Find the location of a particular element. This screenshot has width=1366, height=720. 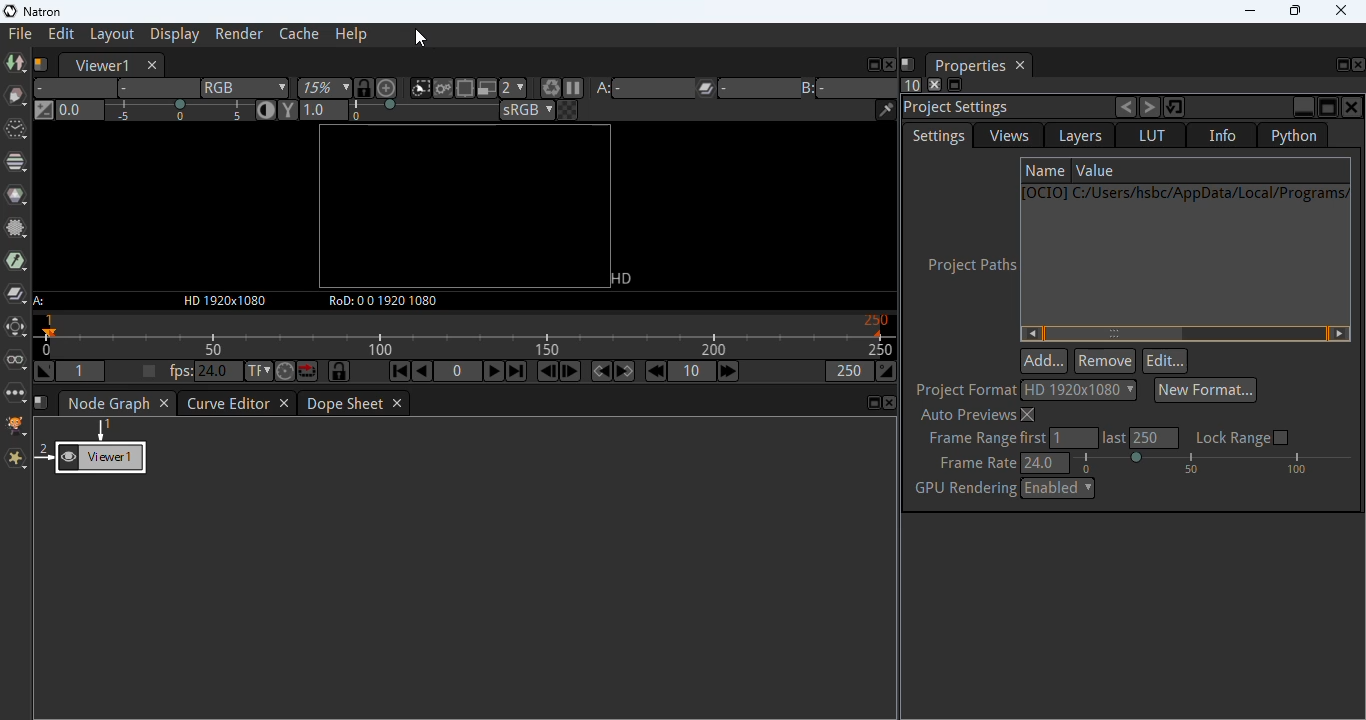

previous keyframe is located at coordinates (601, 371).